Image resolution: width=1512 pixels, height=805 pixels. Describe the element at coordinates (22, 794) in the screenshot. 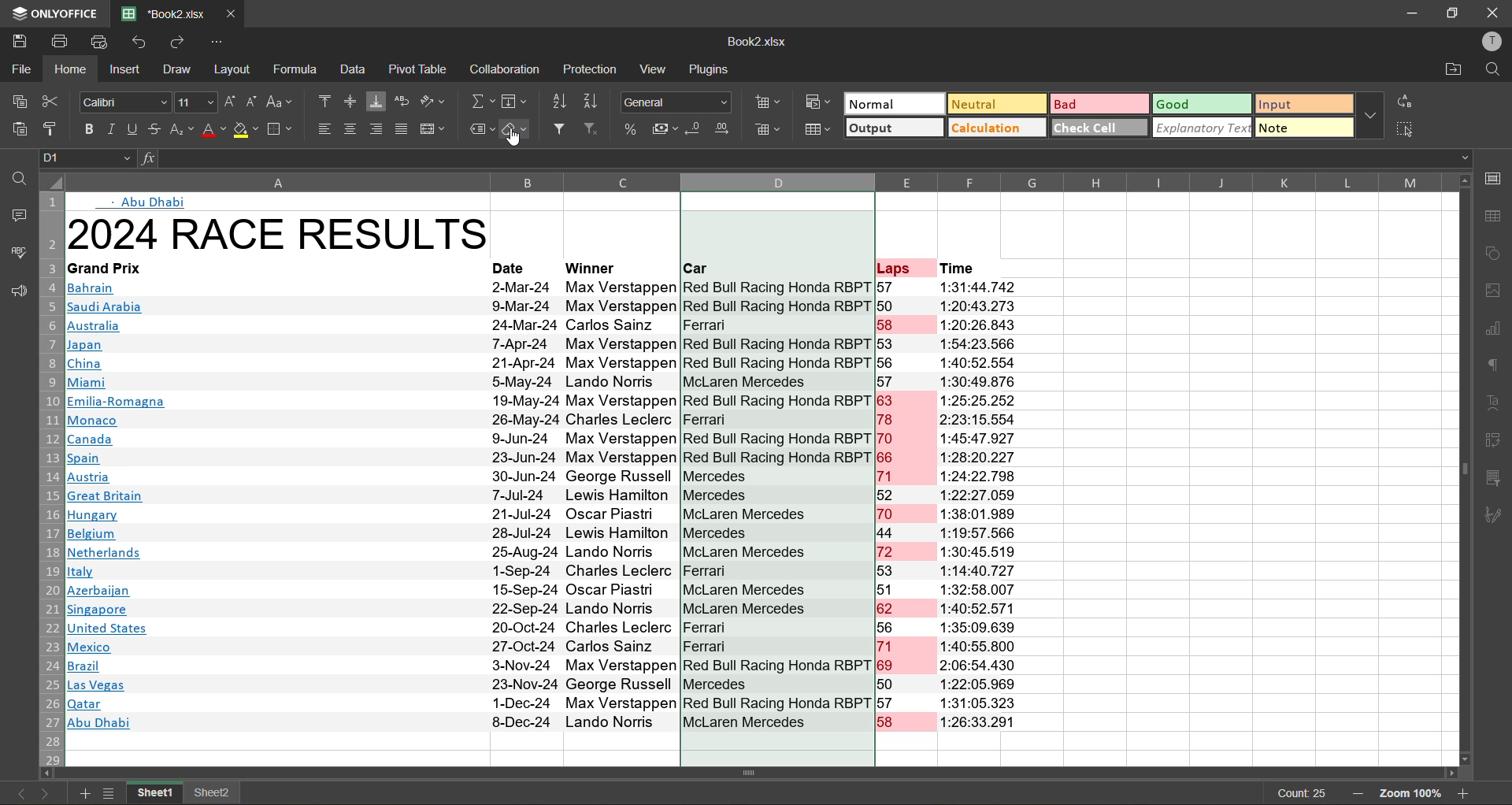

I see `previous` at that location.